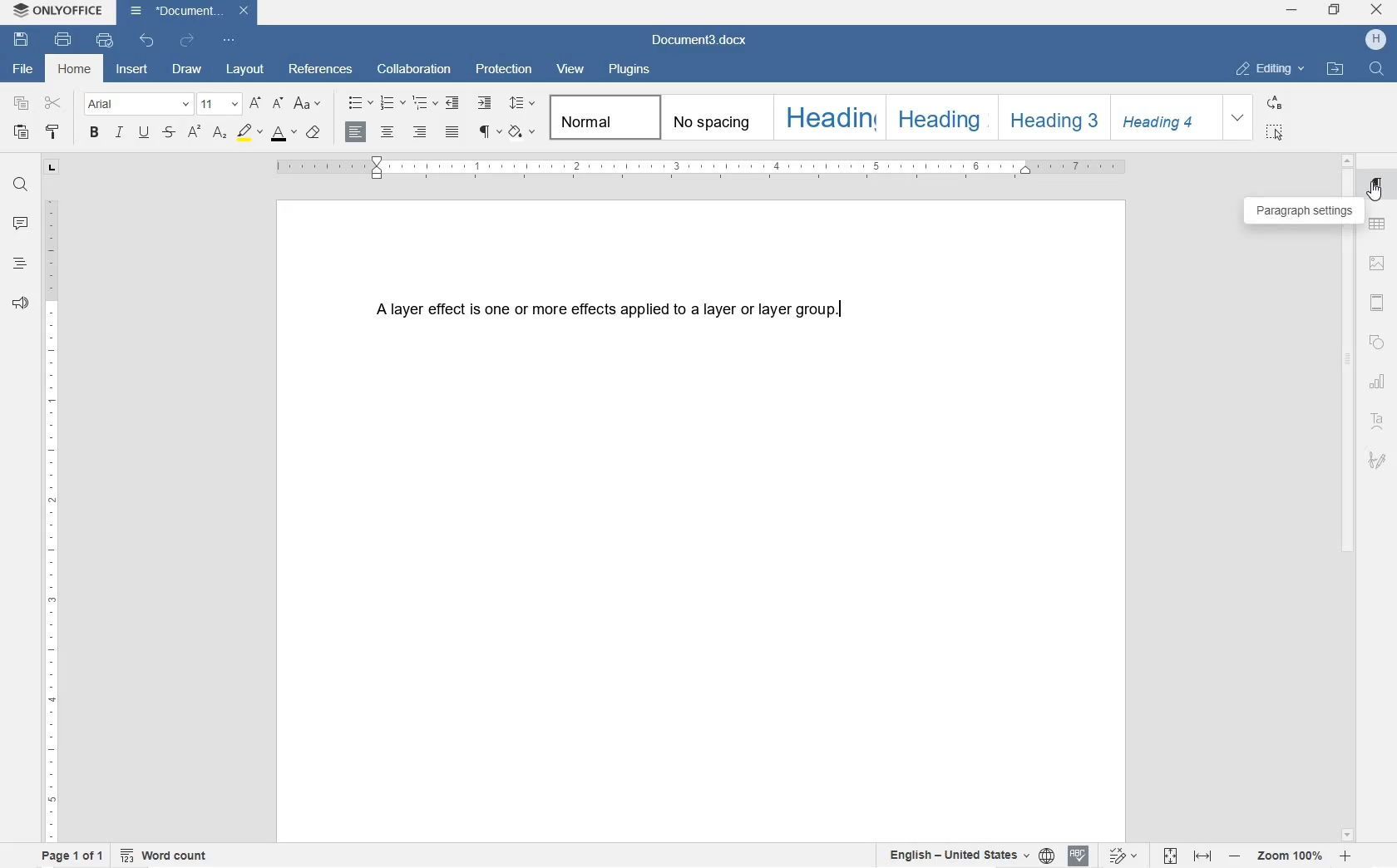 Image resolution: width=1397 pixels, height=868 pixels. I want to click on FONT COLOR, so click(285, 133).